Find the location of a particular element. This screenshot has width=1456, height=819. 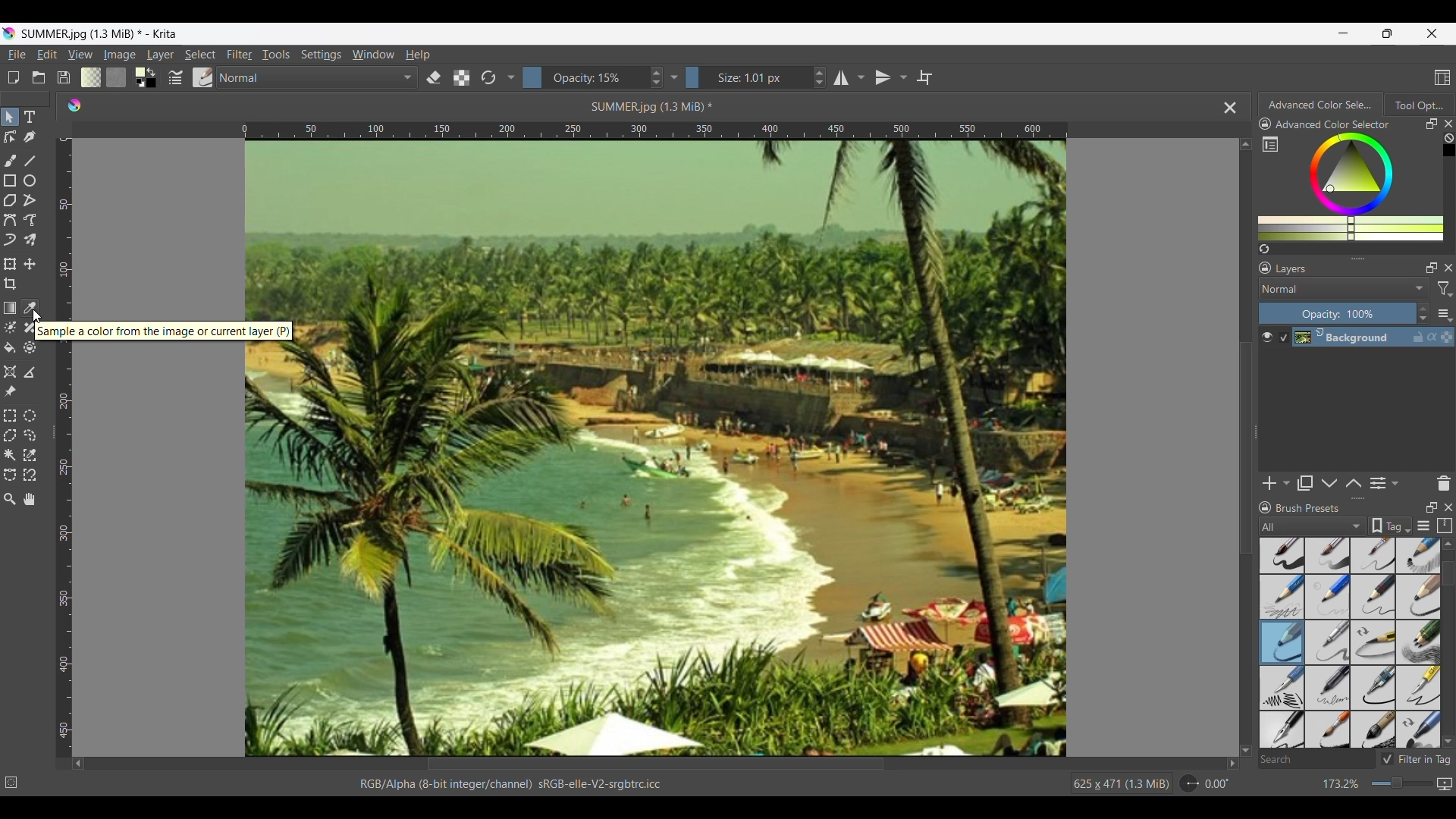

Quick slide to top is located at coordinates (1448, 544).